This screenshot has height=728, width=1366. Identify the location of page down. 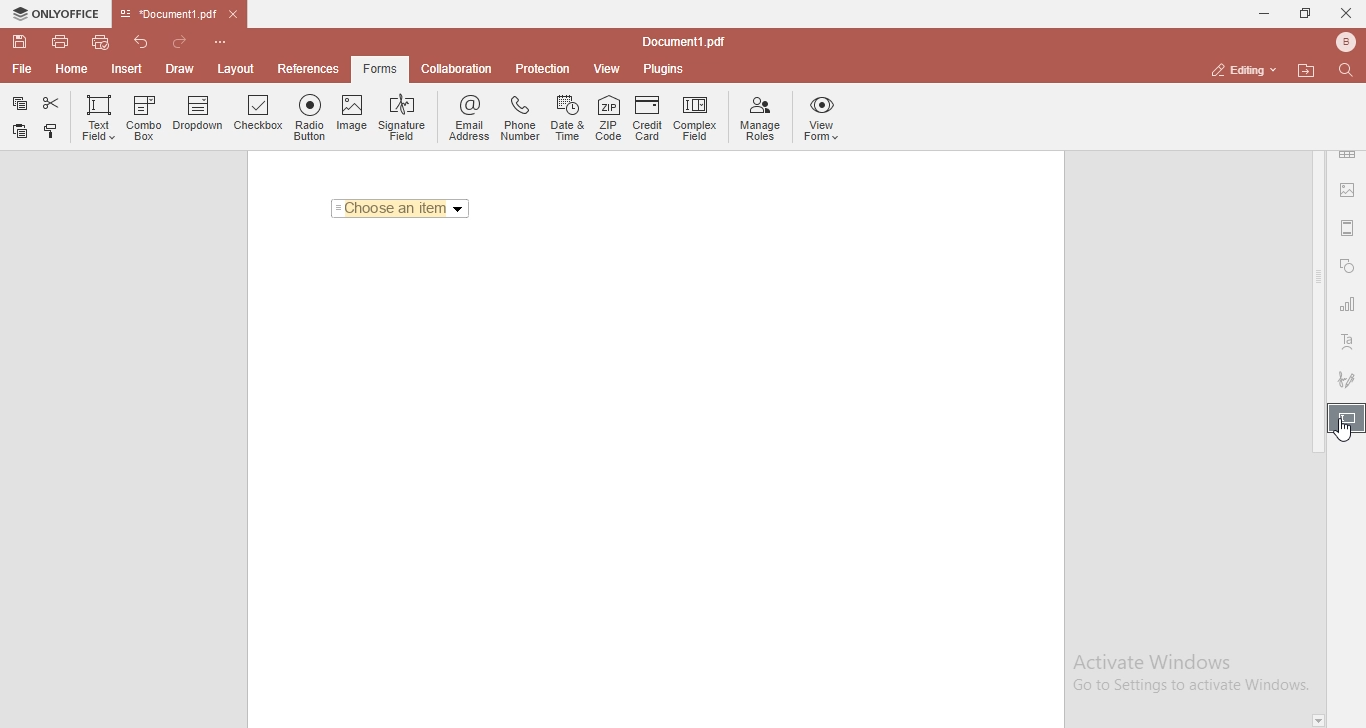
(1318, 721).